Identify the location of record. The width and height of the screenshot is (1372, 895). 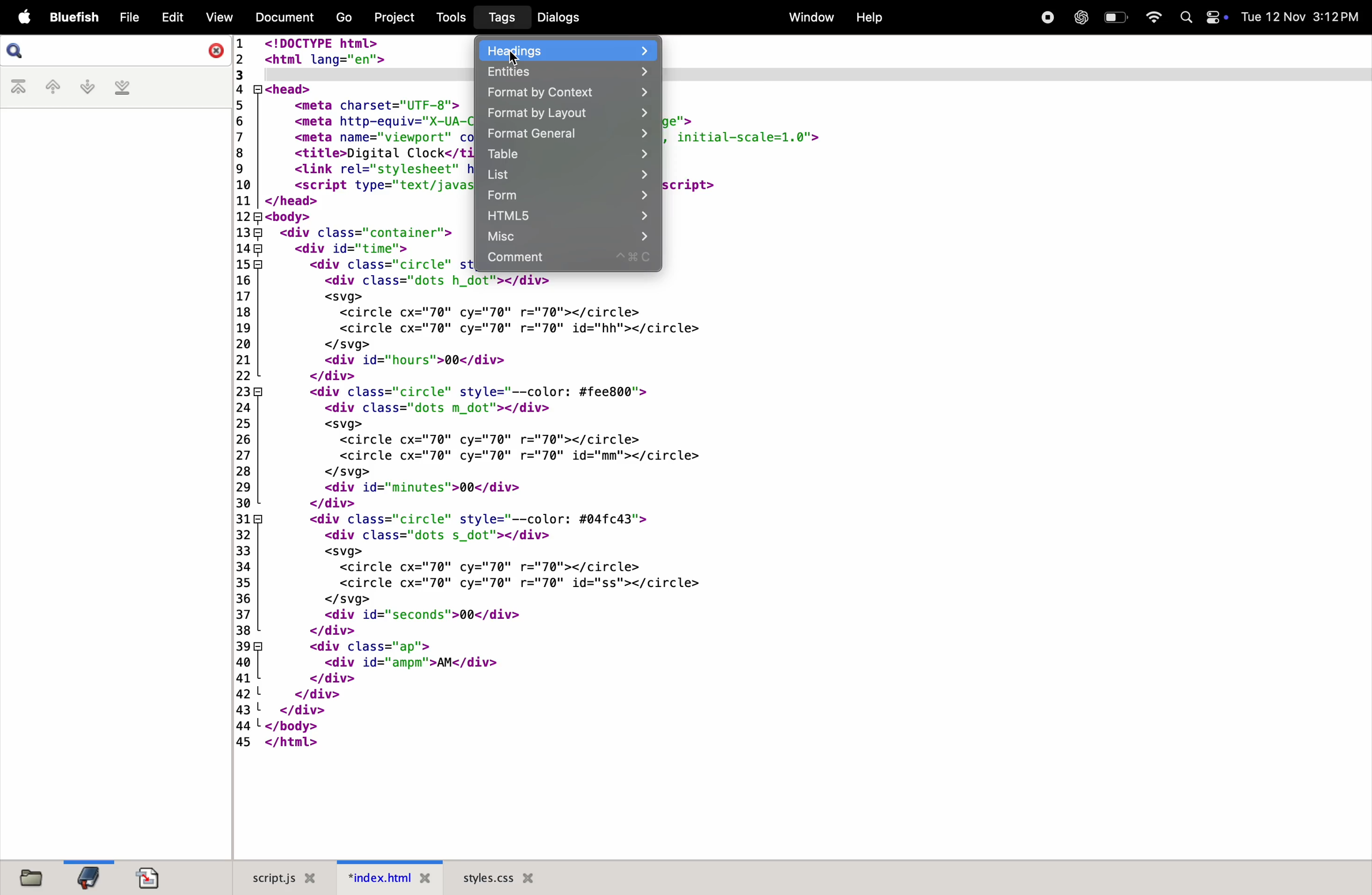
(1045, 16).